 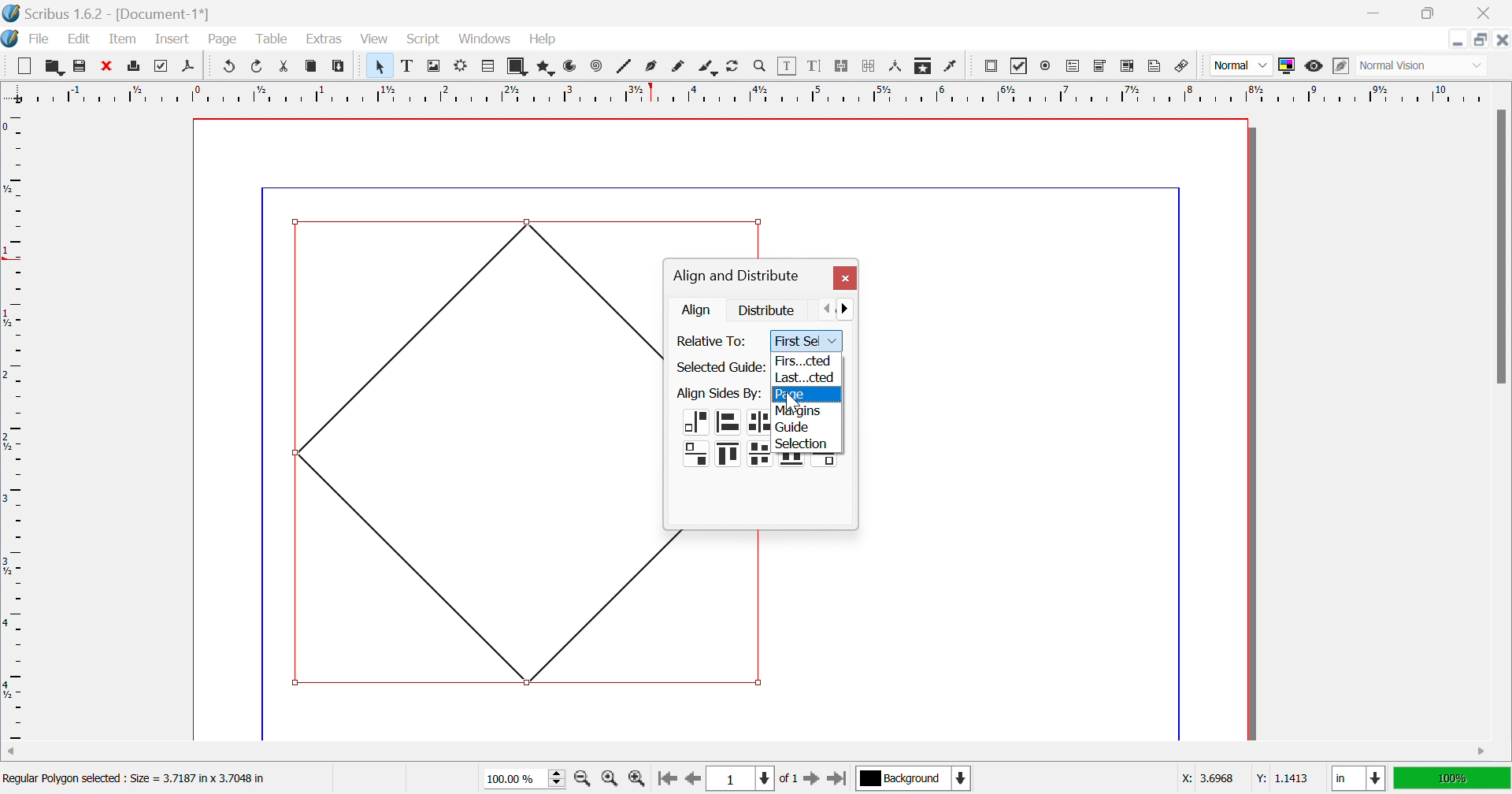 What do you see at coordinates (1483, 752) in the screenshot?
I see `Scroll right` at bounding box center [1483, 752].